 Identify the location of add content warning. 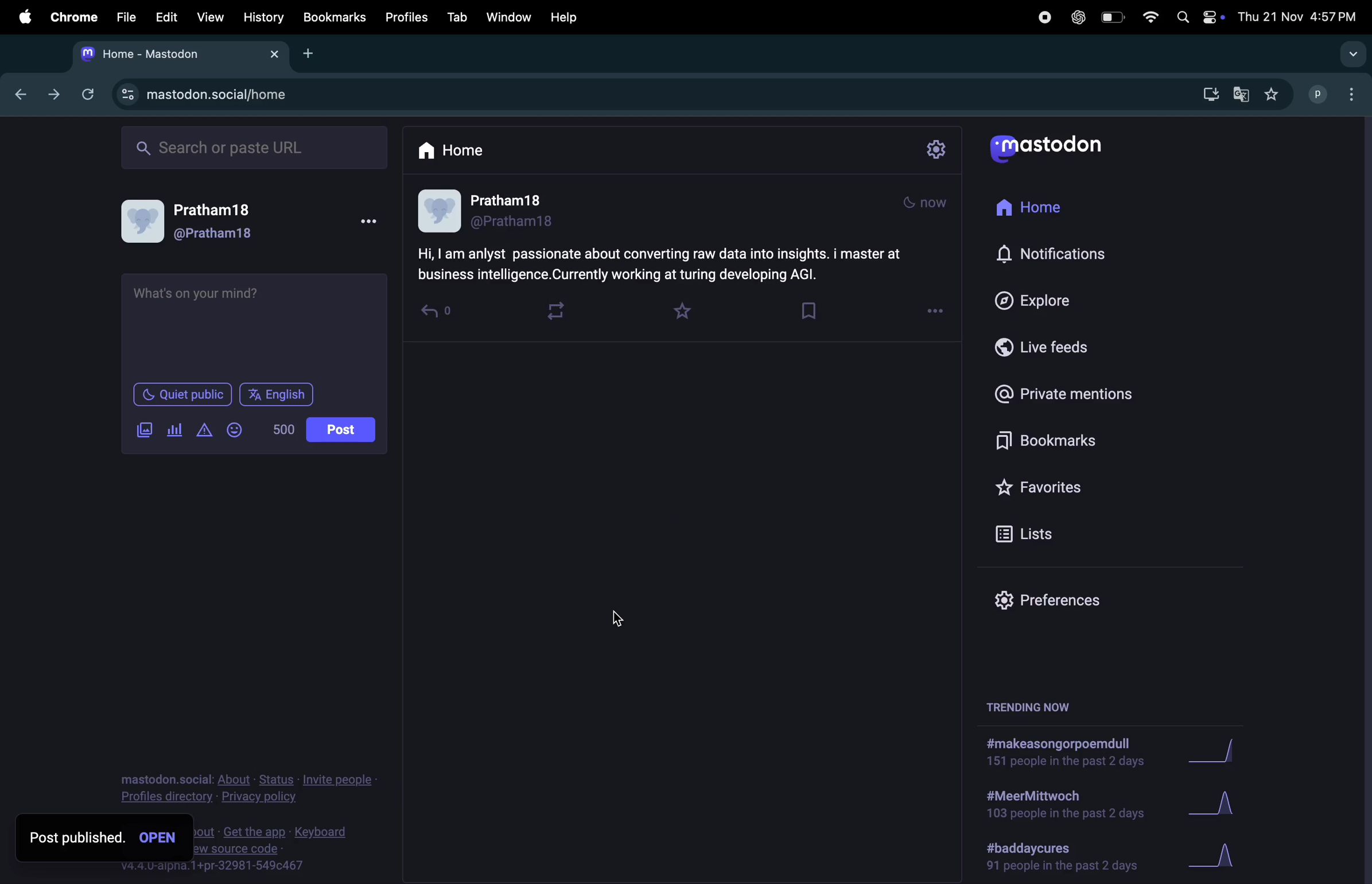
(204, 432).